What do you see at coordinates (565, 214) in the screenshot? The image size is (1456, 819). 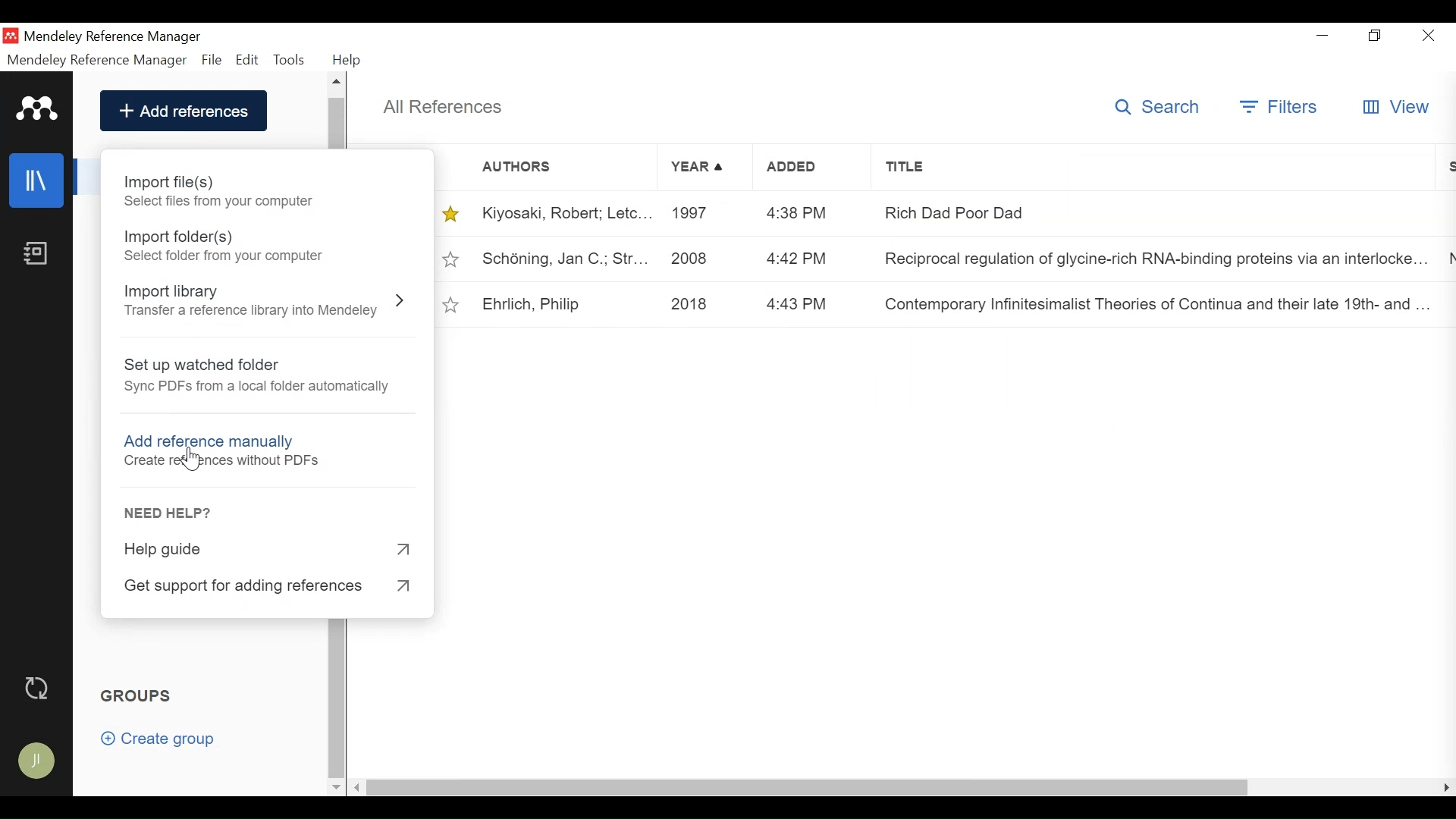 I see `Kiyosaki, Robert; Letc...` at bounding box center [565, 214].